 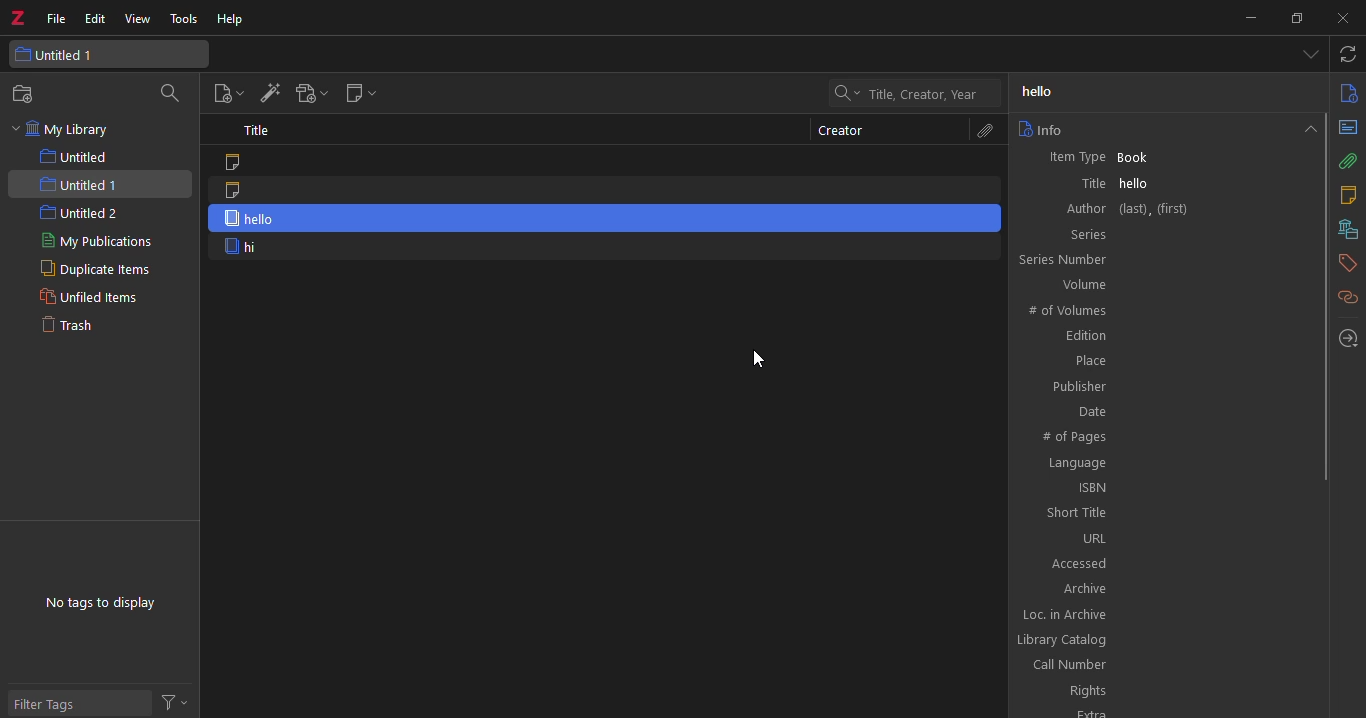 I want to click on date, so click(x=1166, y=410).